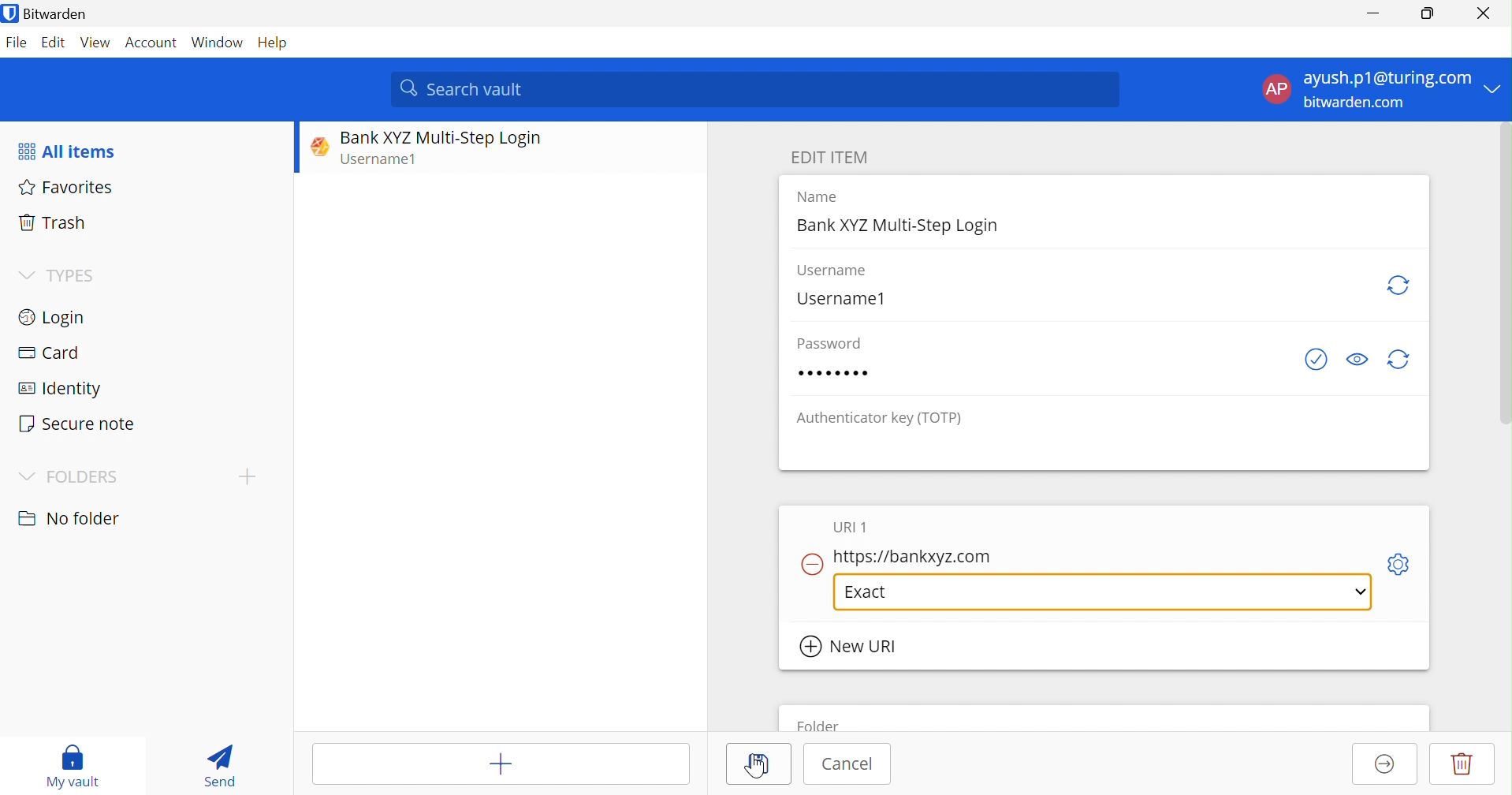  Describe the element at coordinates (834, 373) in the screenshot. I see `Password` at that location.